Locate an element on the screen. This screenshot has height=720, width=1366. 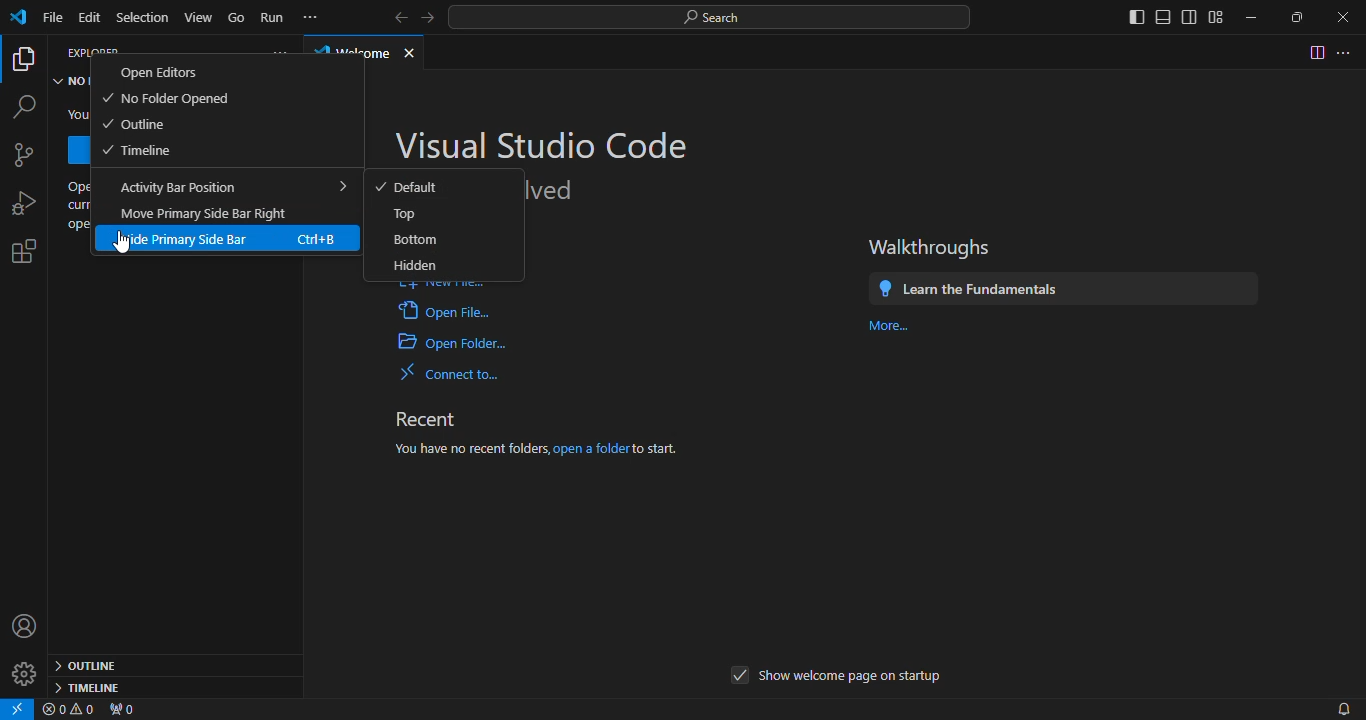
timeline is located at coordinates (86, 687).